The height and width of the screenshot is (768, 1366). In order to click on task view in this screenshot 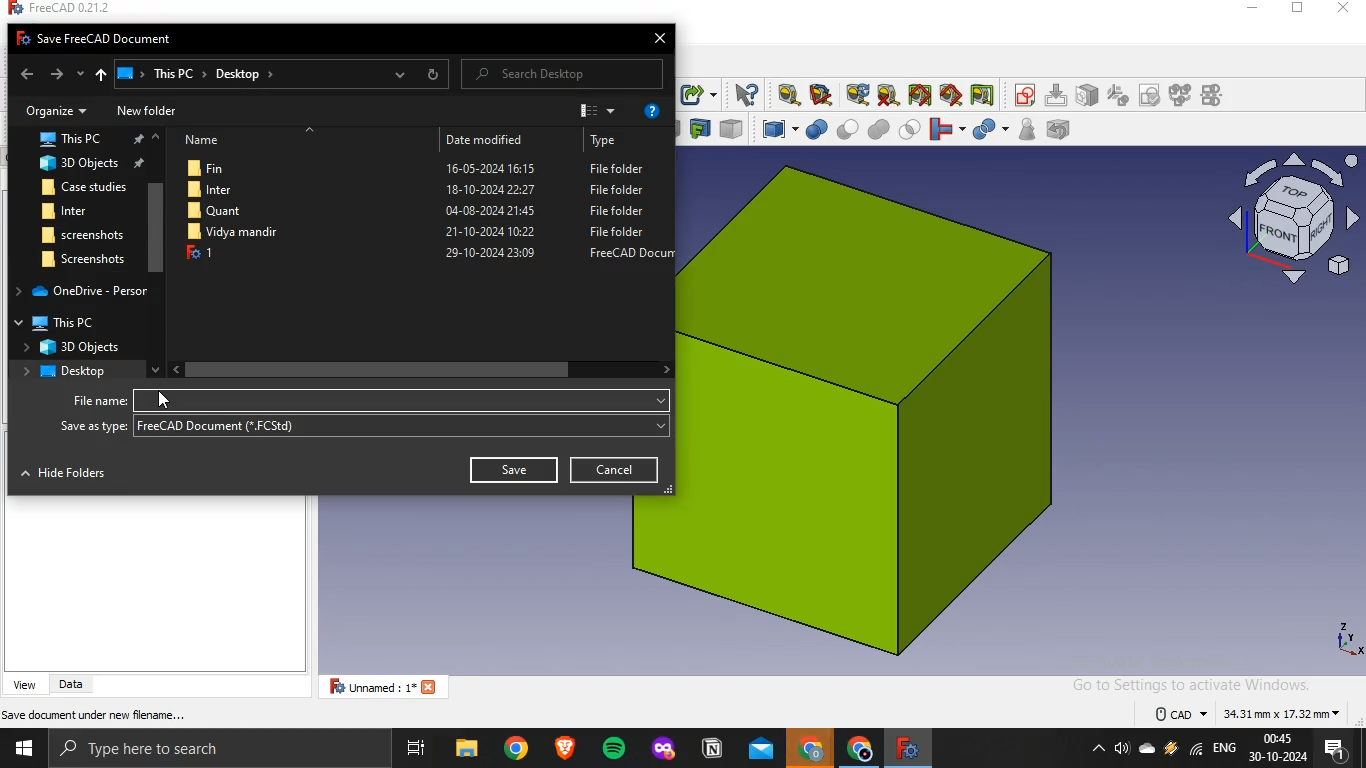, I will do `click(420, 749)`.